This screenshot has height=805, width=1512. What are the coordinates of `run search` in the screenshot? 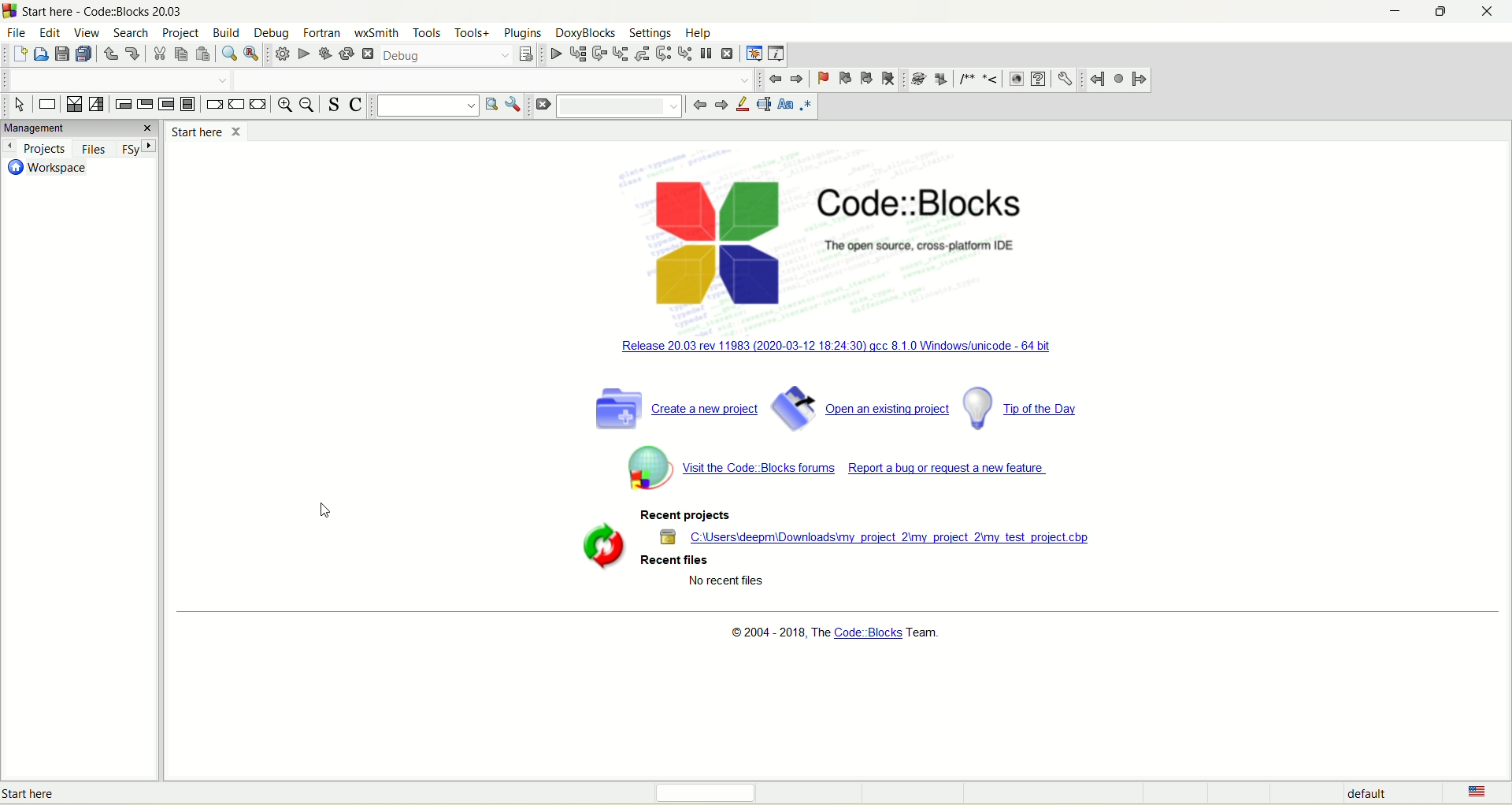 It's located at (490, 103).